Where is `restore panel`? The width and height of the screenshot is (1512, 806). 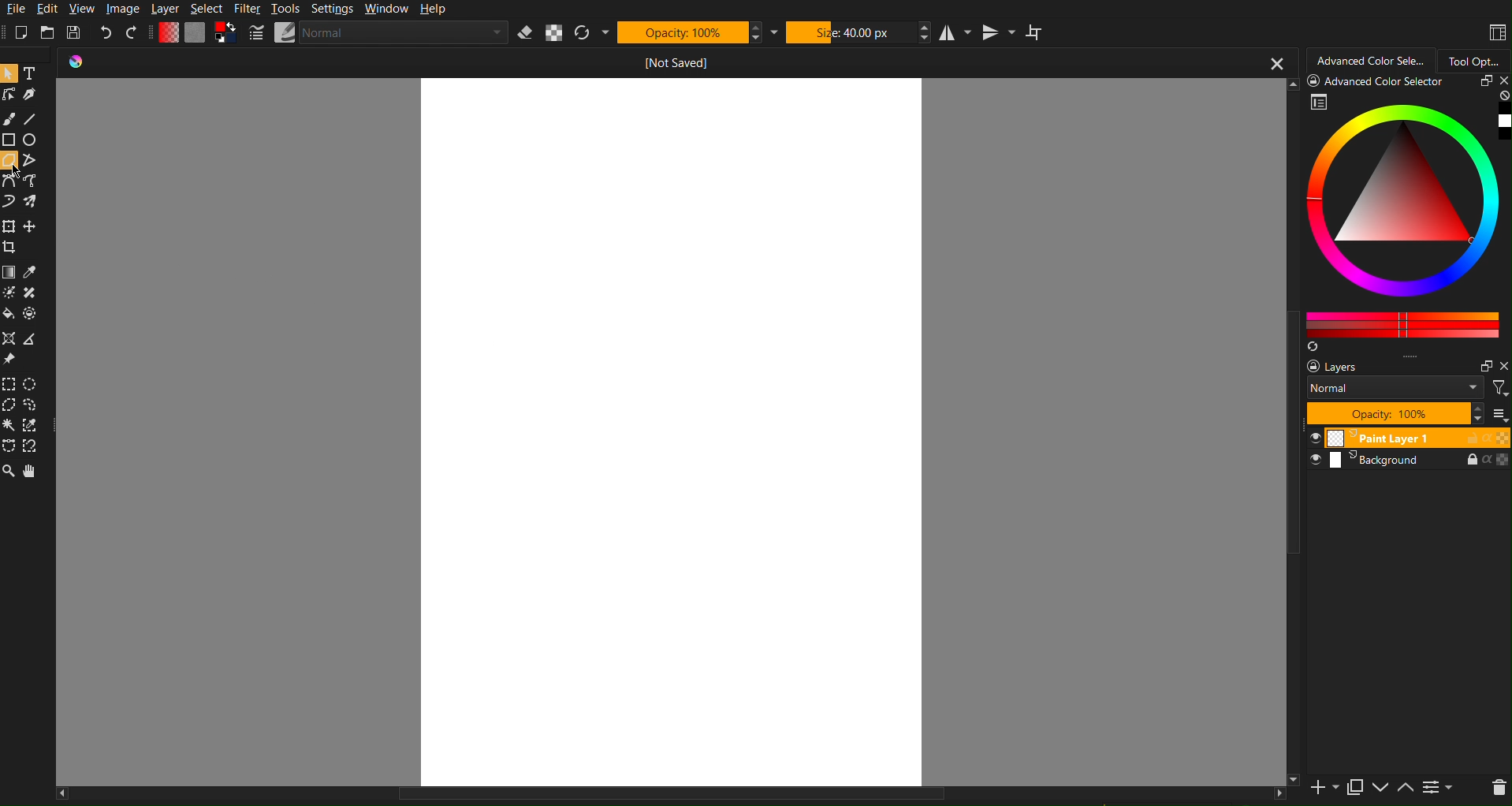
restore panel is located at coordinates (1483, 83).